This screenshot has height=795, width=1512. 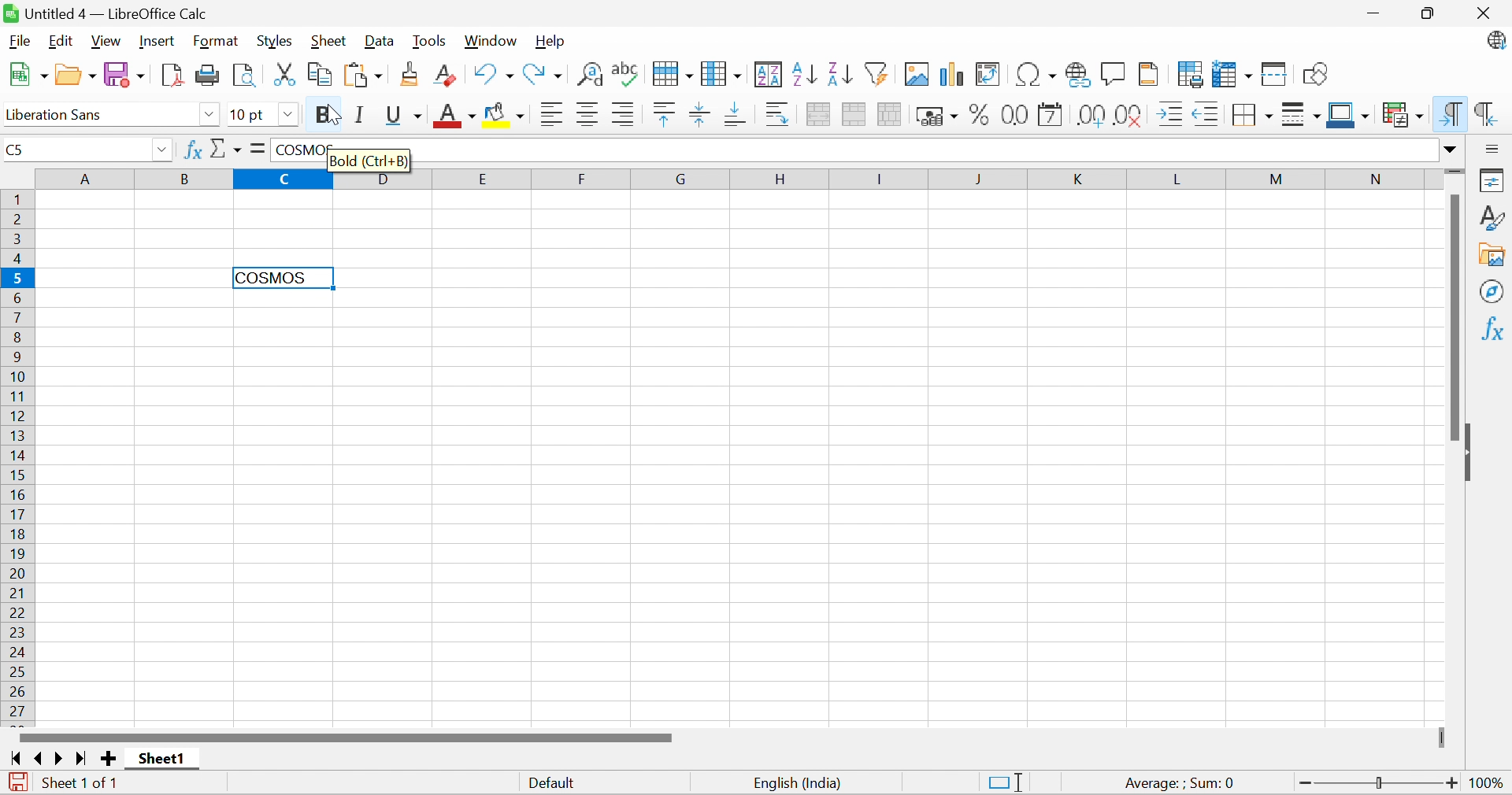 What do you see at coordinates (15, 757) in the screenshot?
I see `Scroll To First Sheet` at bounding box center [15, 757].